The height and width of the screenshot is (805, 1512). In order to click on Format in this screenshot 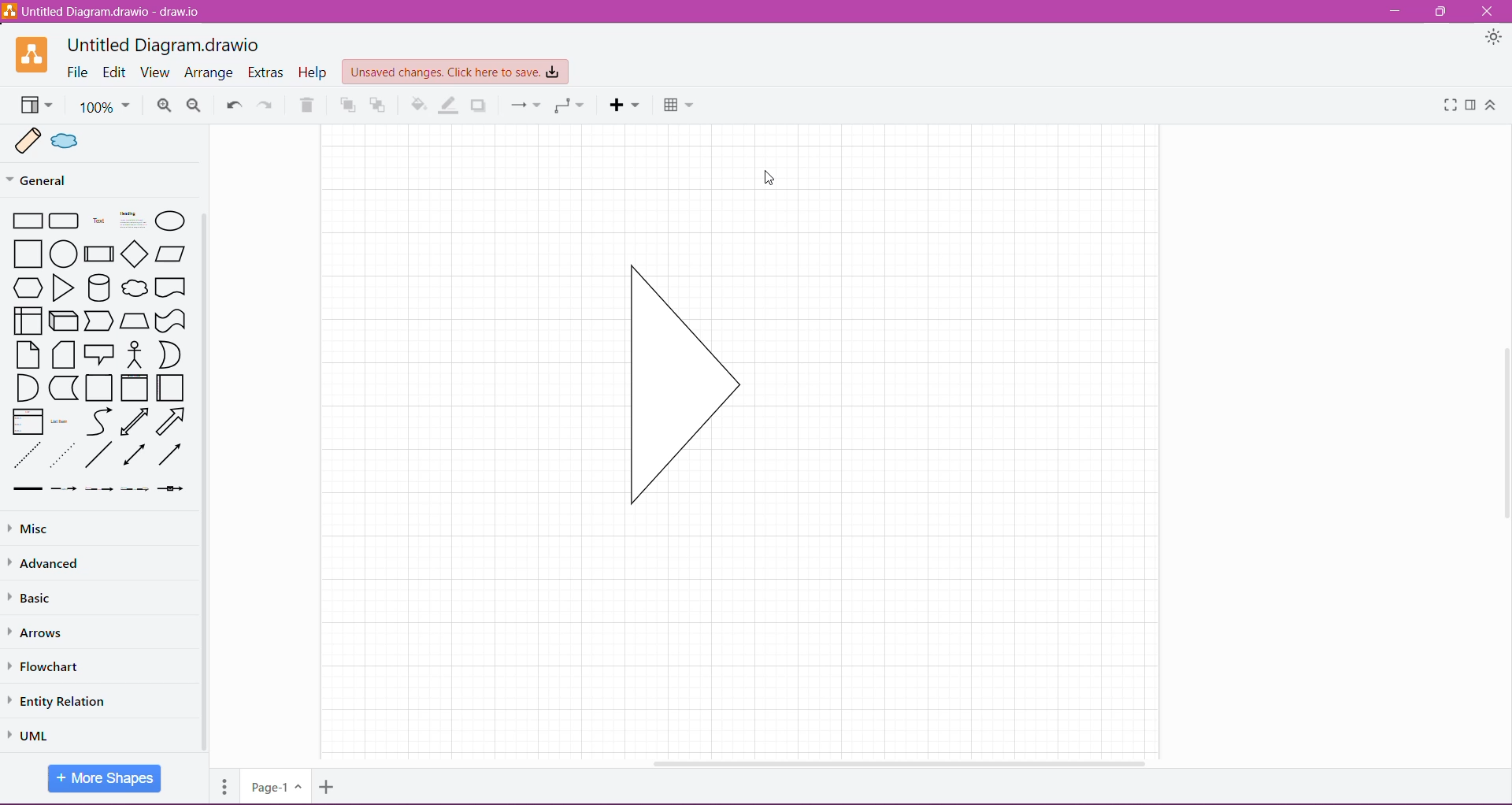, I will do `click(1470, 106)`.